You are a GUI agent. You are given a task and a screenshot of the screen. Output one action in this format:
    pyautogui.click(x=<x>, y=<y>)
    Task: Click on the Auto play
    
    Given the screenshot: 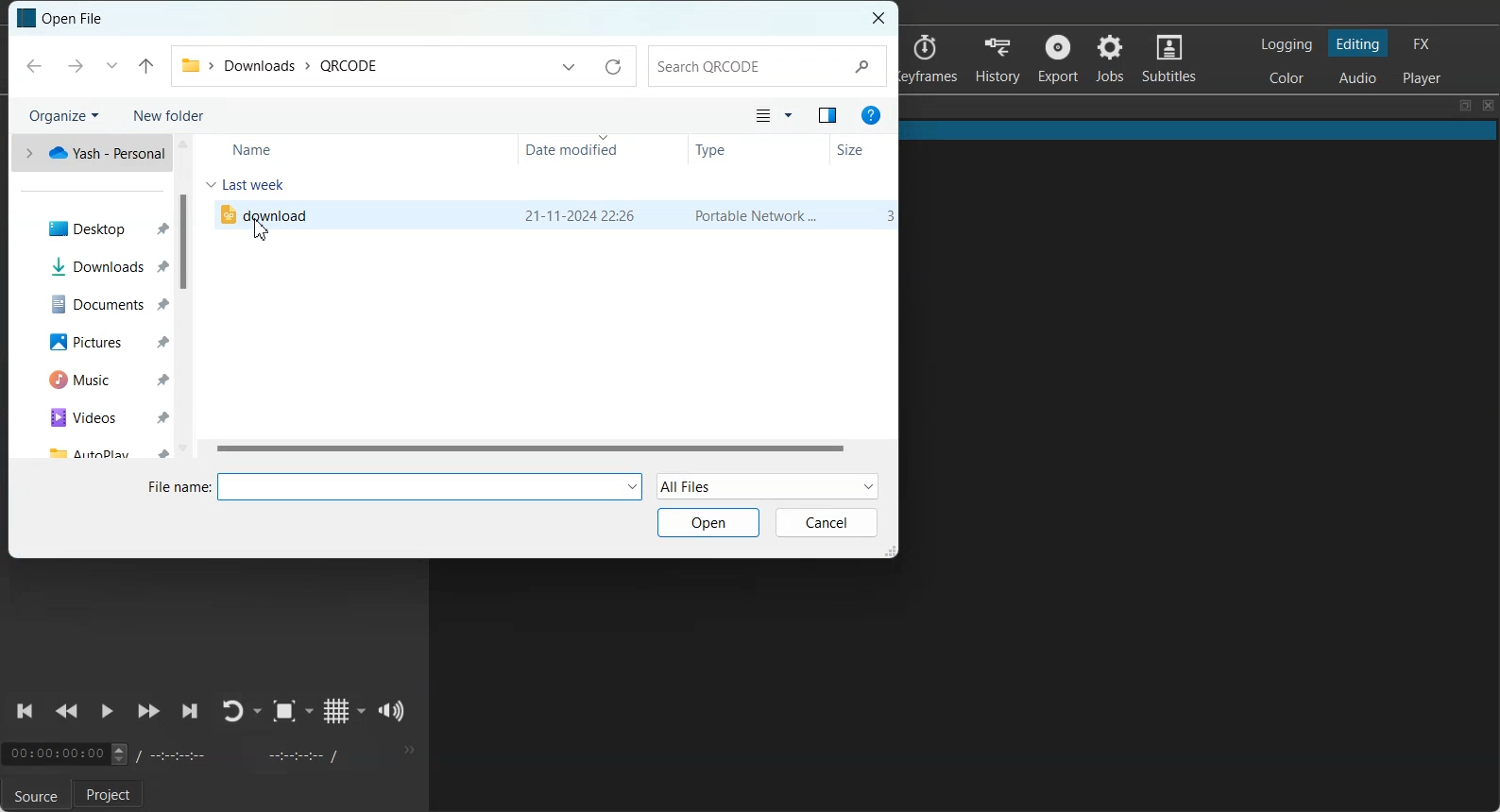 What is the action you would take?
    pyautogui.click(x=99, y=452)
    